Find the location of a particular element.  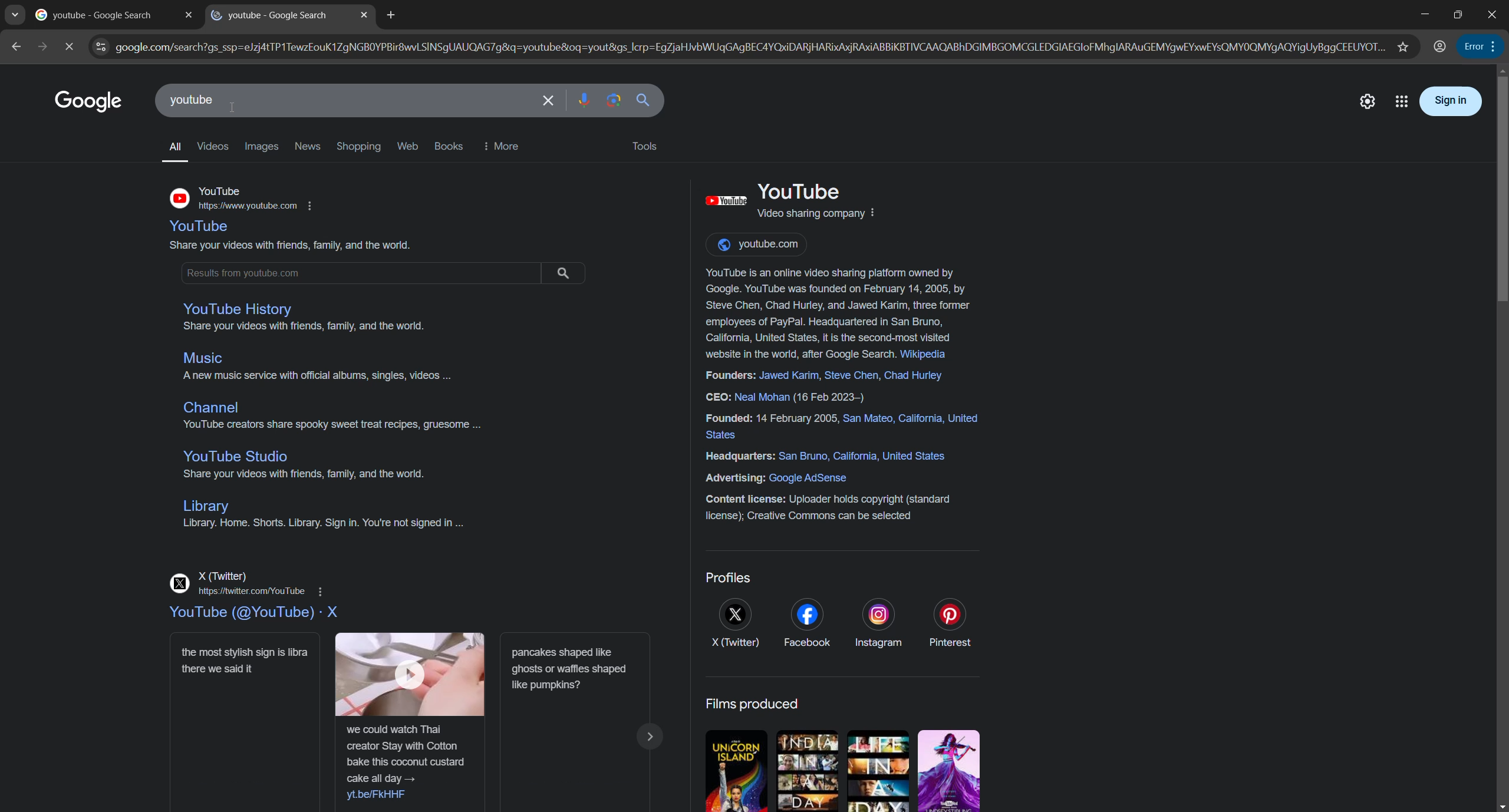

X(Twitter) is located at coordinates (734, 625).